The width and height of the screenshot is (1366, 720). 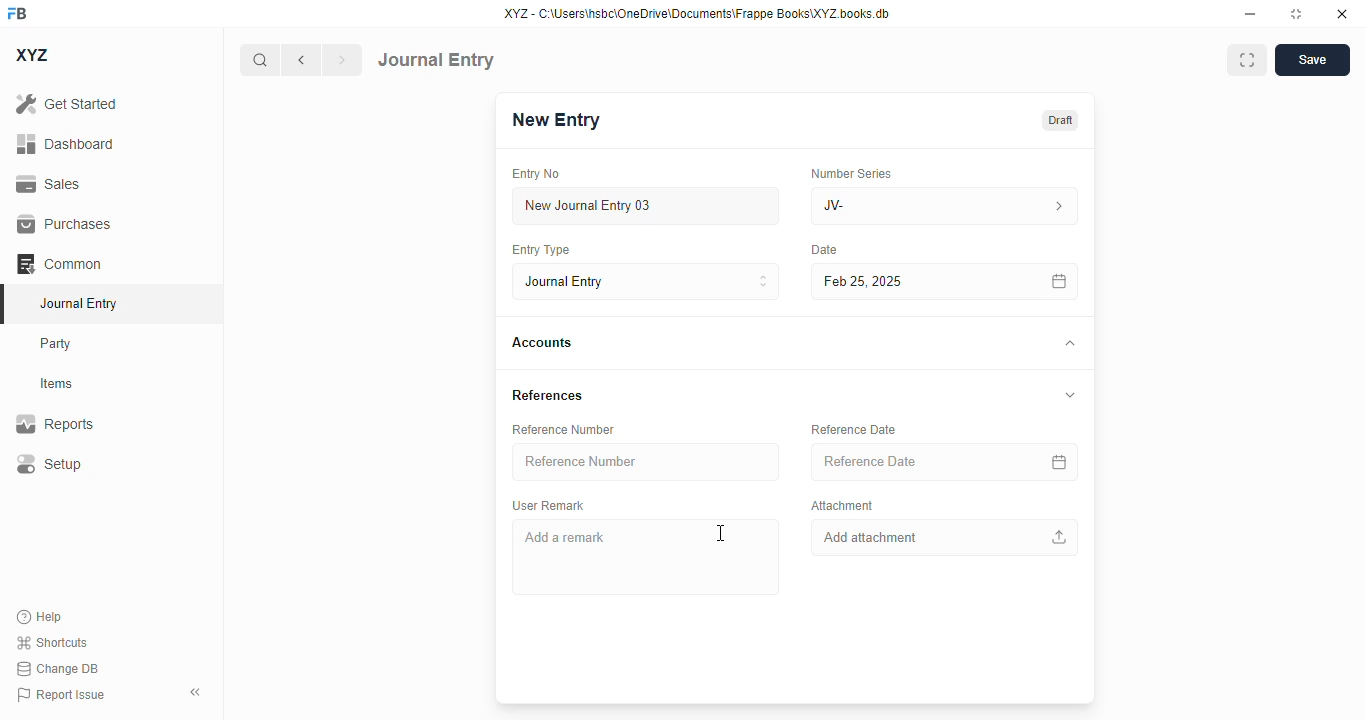 I want to click on new entry, so click(x=554, y=120).